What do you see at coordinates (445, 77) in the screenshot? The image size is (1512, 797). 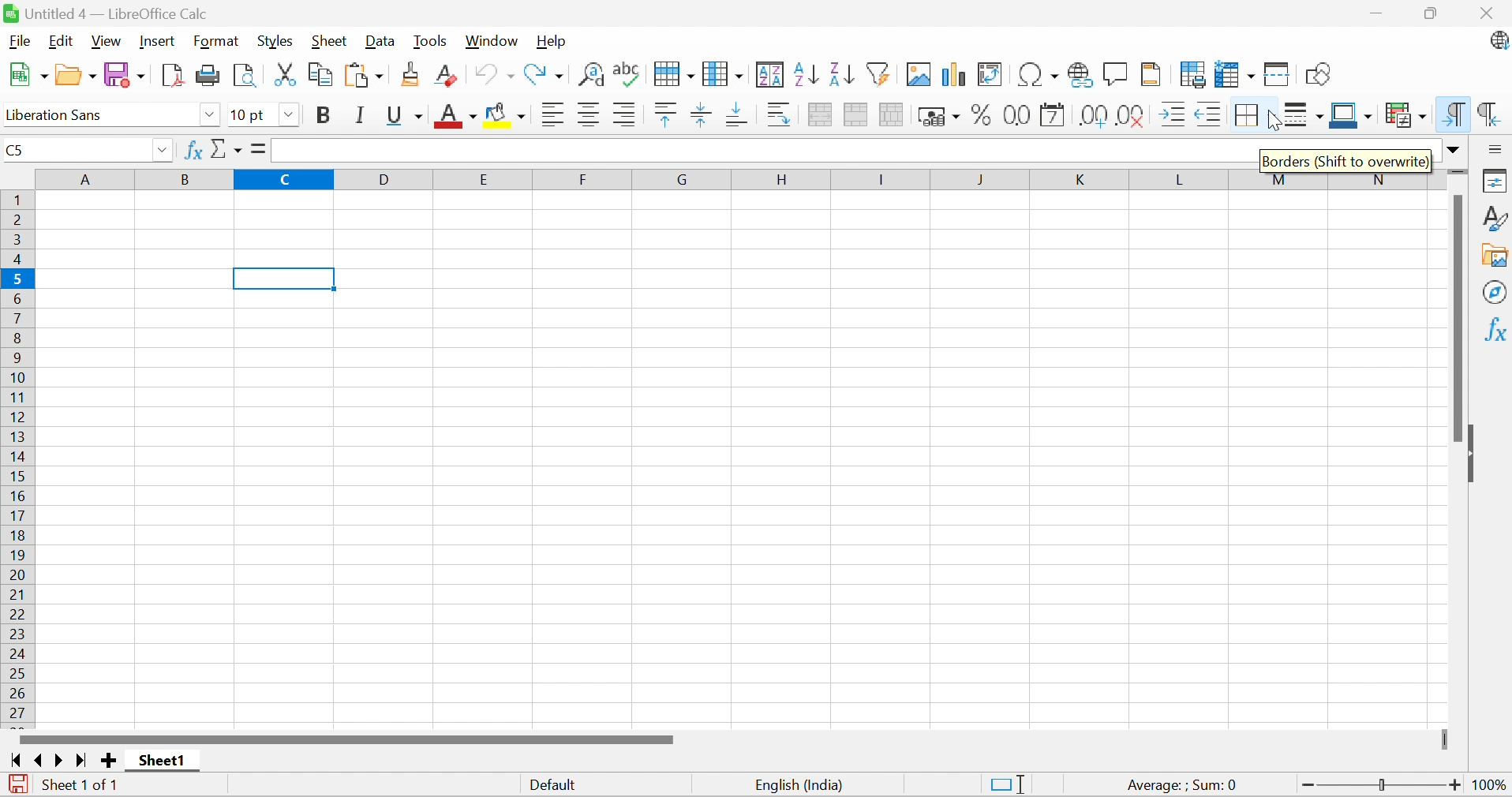 I see `Clear direct formatting` at bounding box center [445, 77].